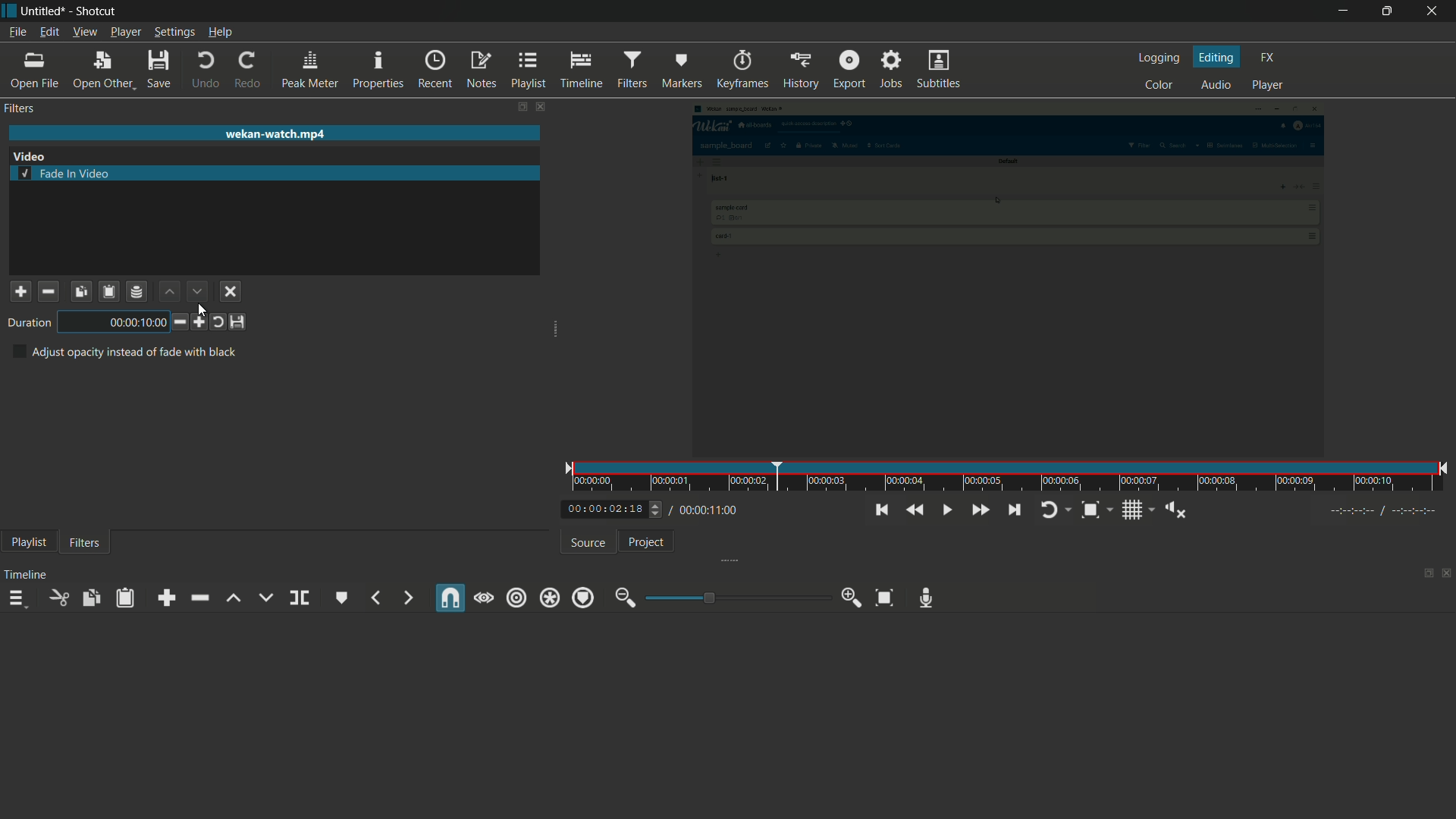  Describe the element at coordinates (626, 598) in the screenshot. I see `zoom out` at that location.